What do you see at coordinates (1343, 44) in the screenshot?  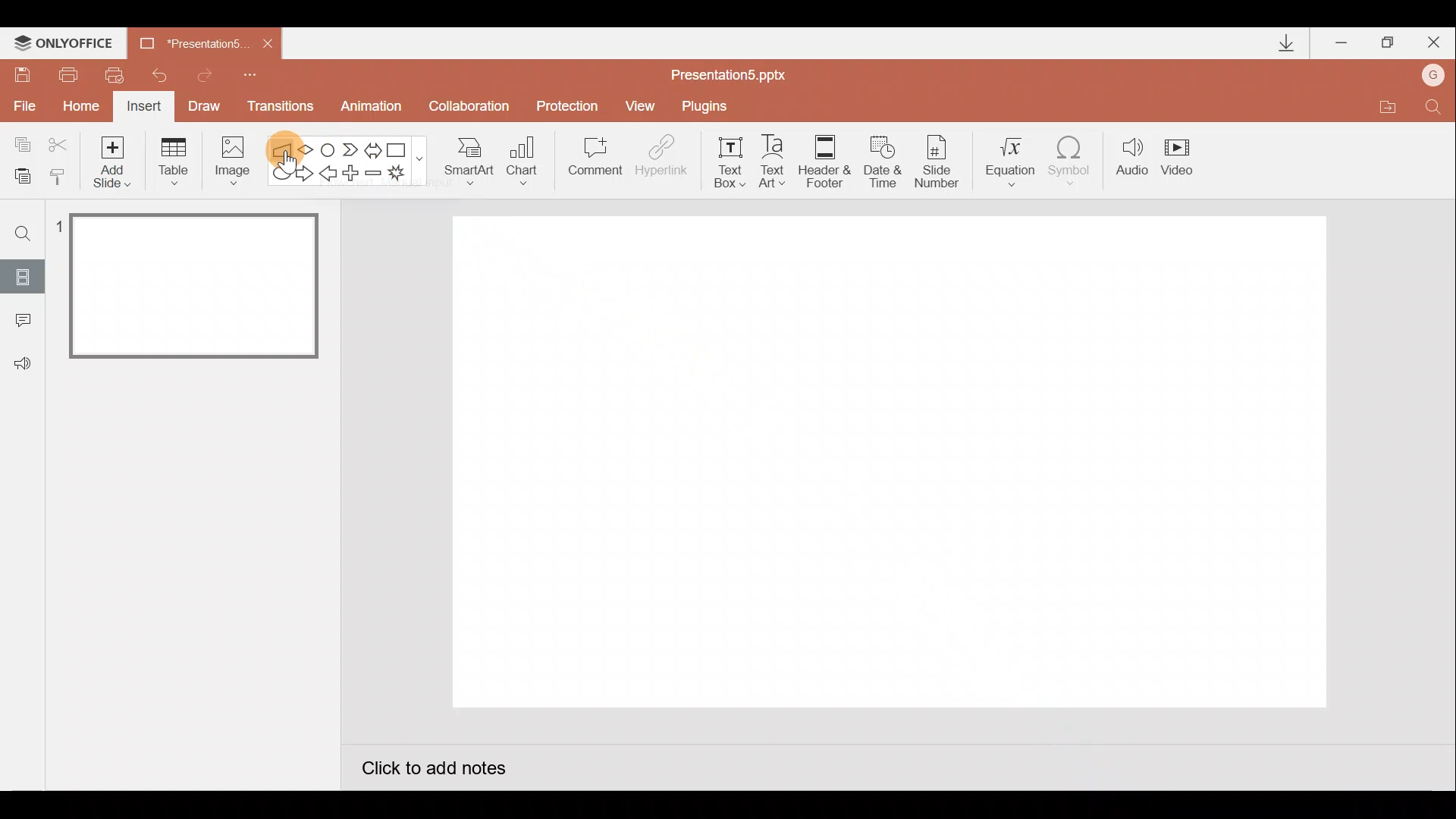 I see `Minimize` at bounding box center [1343, 44].